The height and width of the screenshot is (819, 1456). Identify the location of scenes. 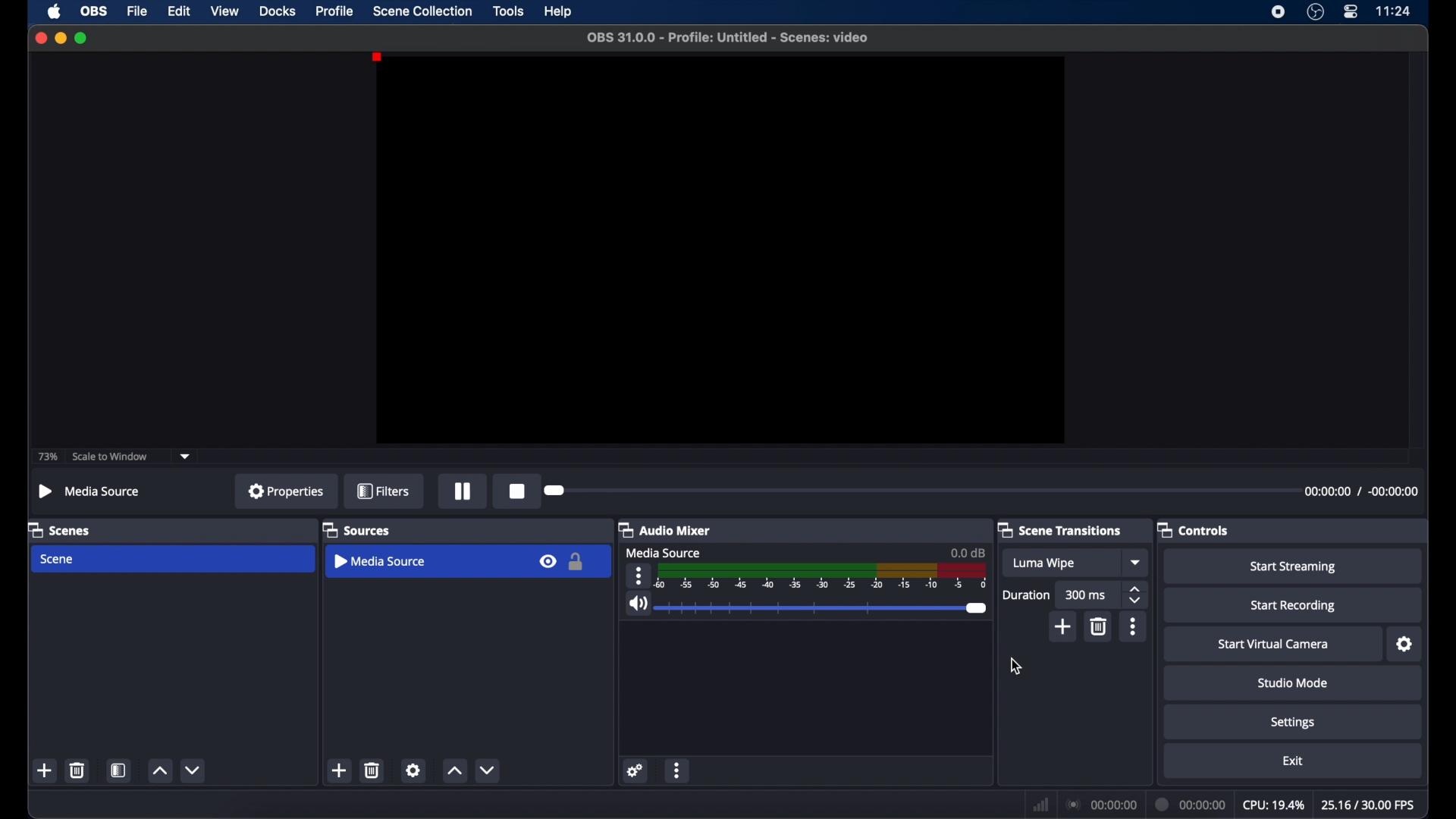
(61, 529).